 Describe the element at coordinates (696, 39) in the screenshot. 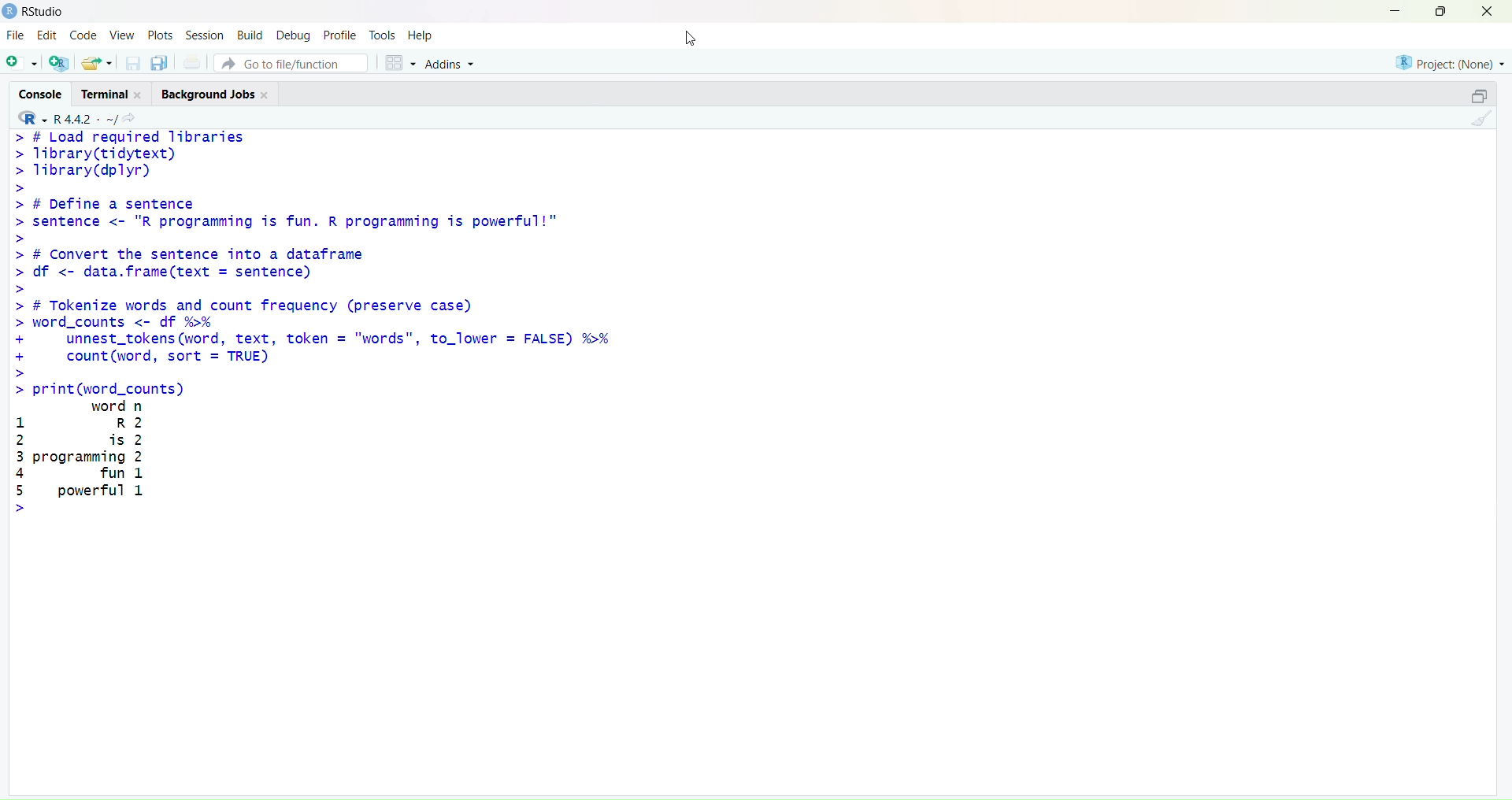

I see `cursor` at that location.